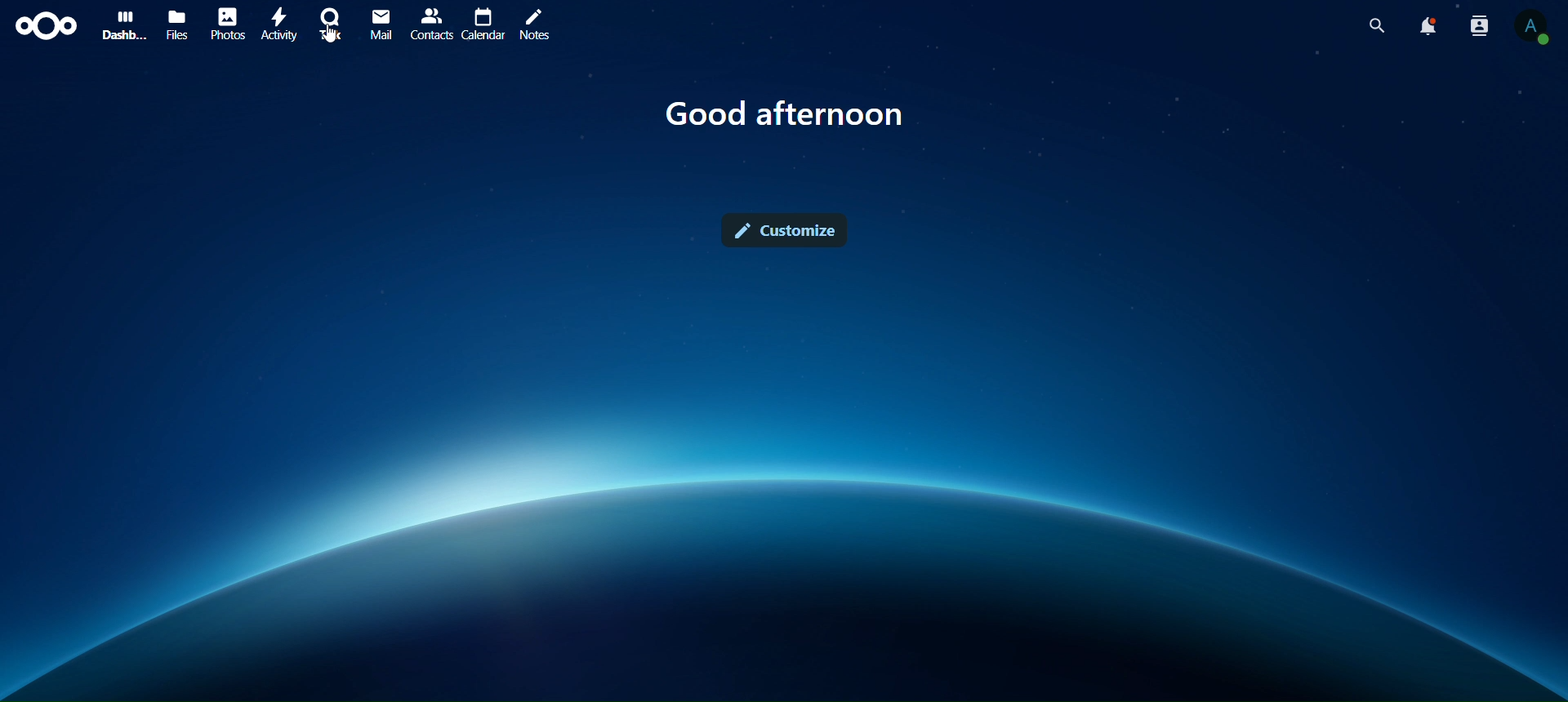 Image resolution: width=1568 pixels, height=702 pixels. I want to click on calendar, so click(482, 23).